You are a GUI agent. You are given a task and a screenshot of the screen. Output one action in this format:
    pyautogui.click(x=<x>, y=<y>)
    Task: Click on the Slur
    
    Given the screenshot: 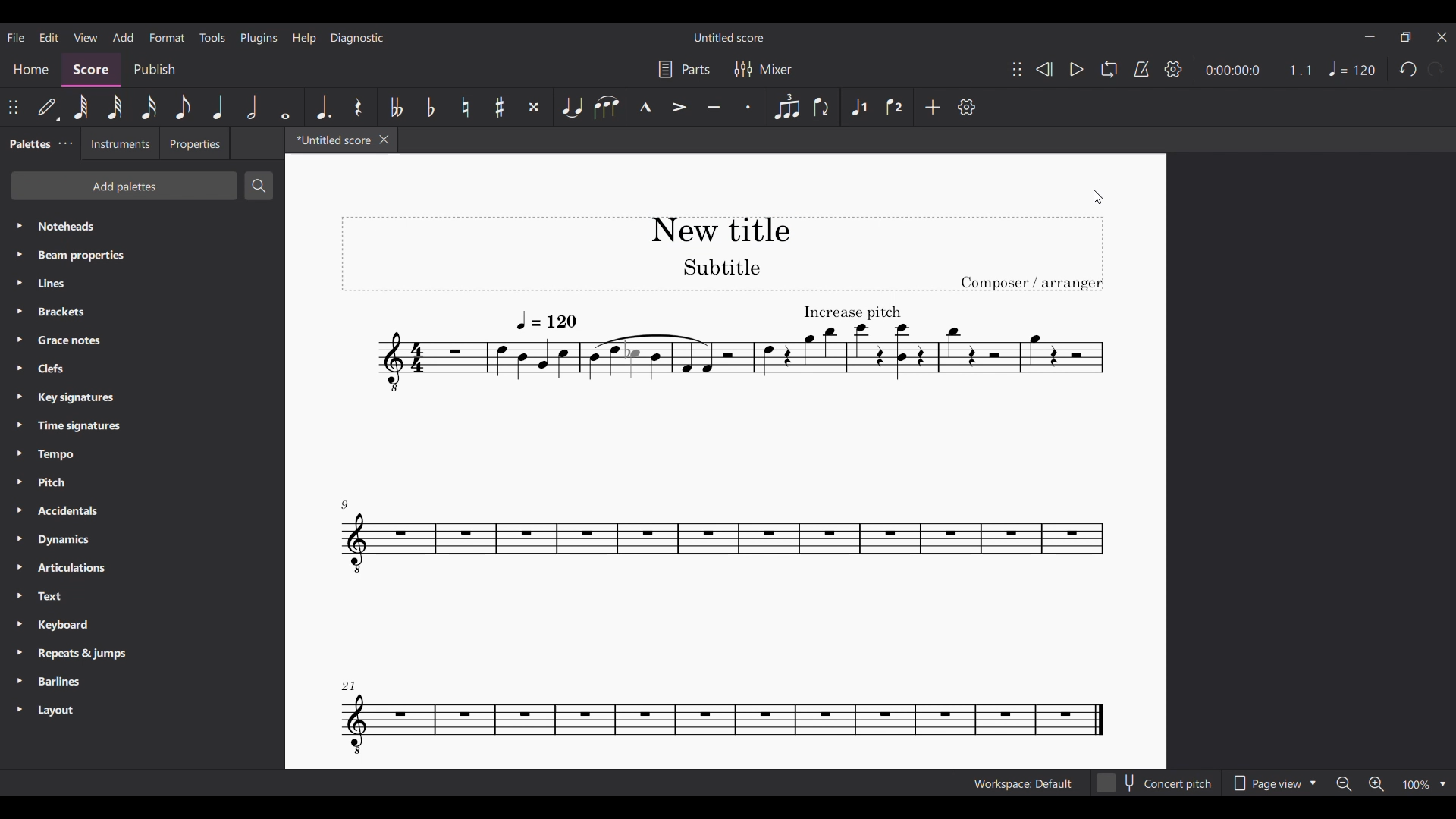 What is the action you would take?
    pyautogui.click(x=607, y=106)
    